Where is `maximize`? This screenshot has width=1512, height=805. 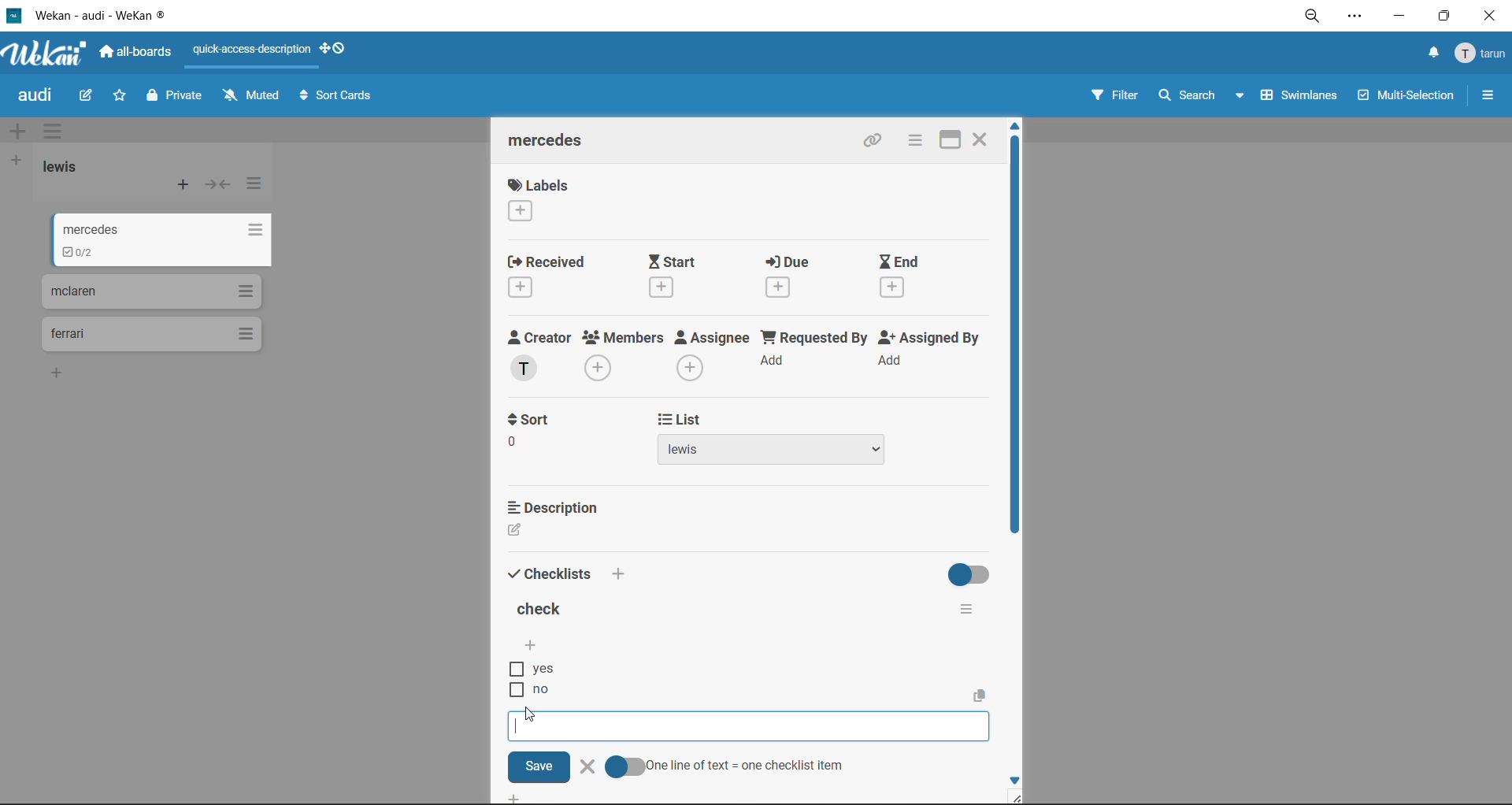 maximize is located at coordinates (1444, 17).